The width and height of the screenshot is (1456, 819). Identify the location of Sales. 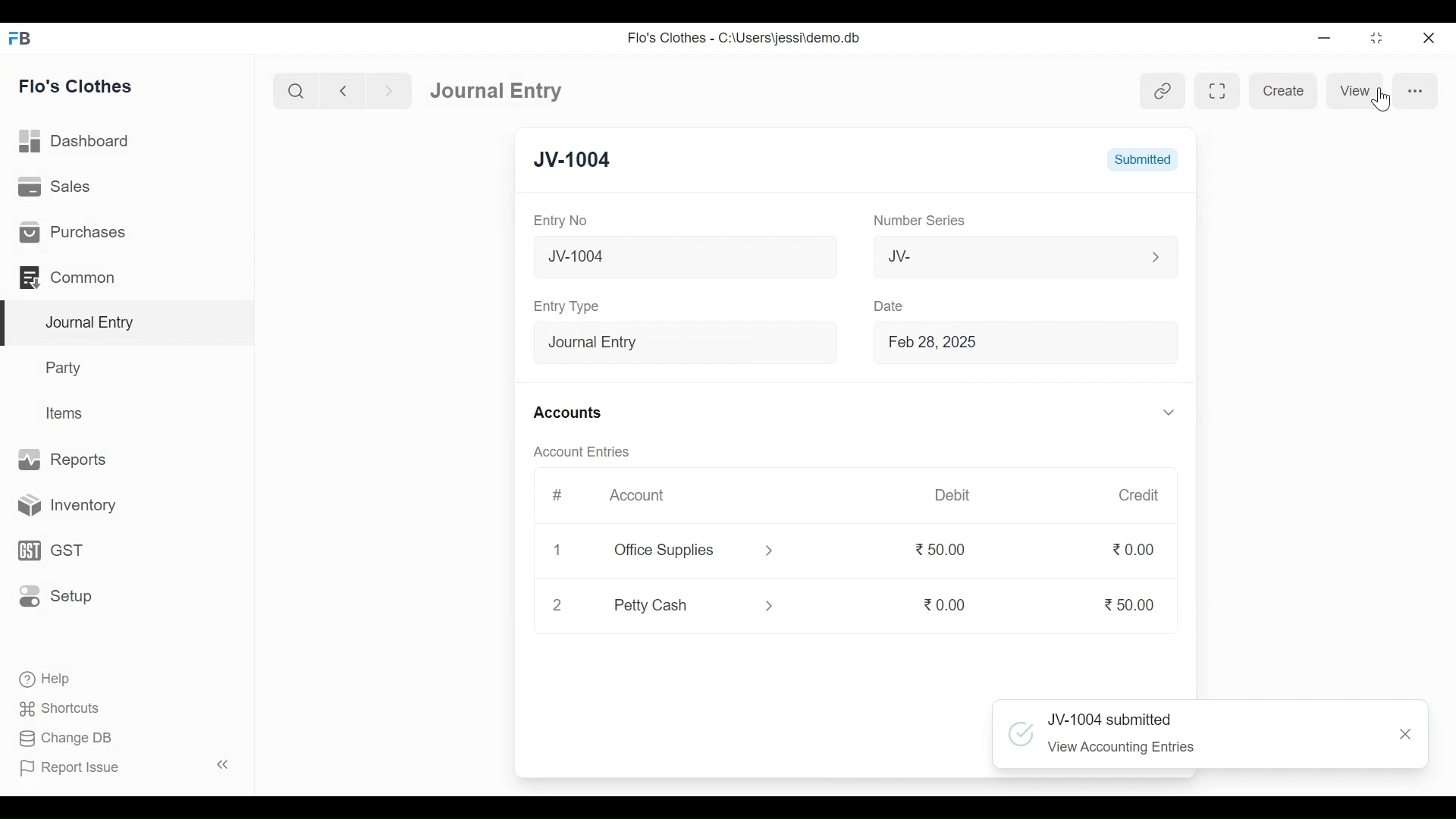
(57, 186).